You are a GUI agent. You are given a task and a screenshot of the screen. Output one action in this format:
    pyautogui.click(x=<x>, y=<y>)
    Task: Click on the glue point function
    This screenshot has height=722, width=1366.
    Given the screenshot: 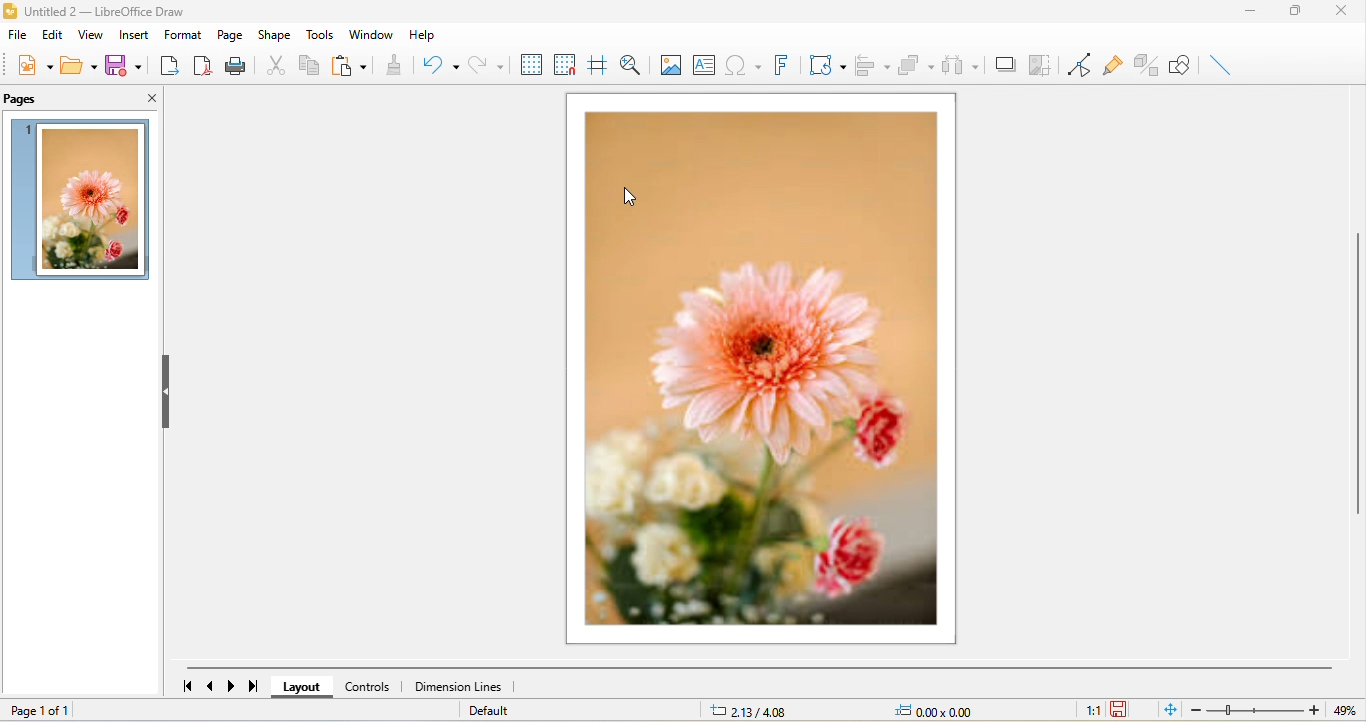 What is the action you would take?
    pyautogui.click(x=1112, y=62)
    